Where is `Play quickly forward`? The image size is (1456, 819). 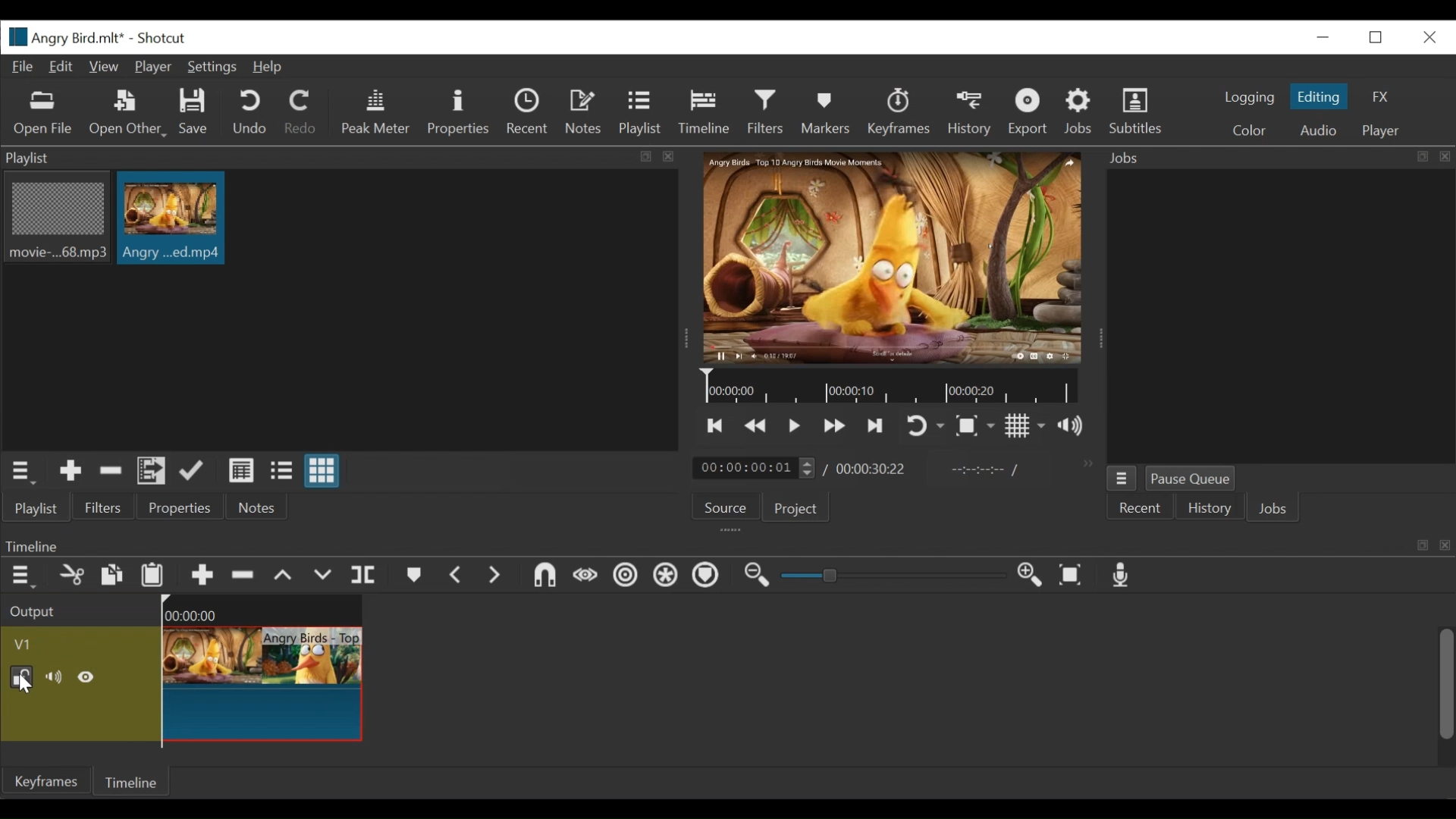 Play quickly forward is located at coordinates (833, 427).